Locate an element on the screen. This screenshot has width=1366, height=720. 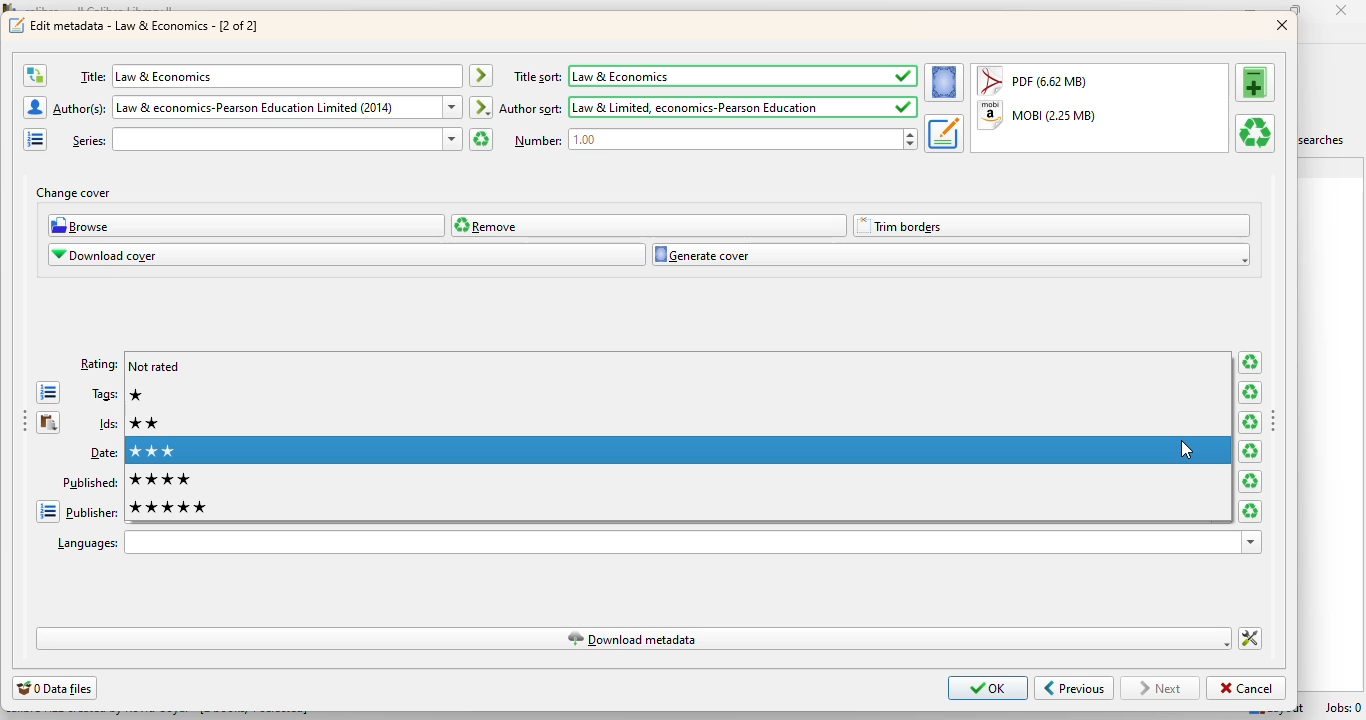
2 stars is located at coordinates (148, 424).